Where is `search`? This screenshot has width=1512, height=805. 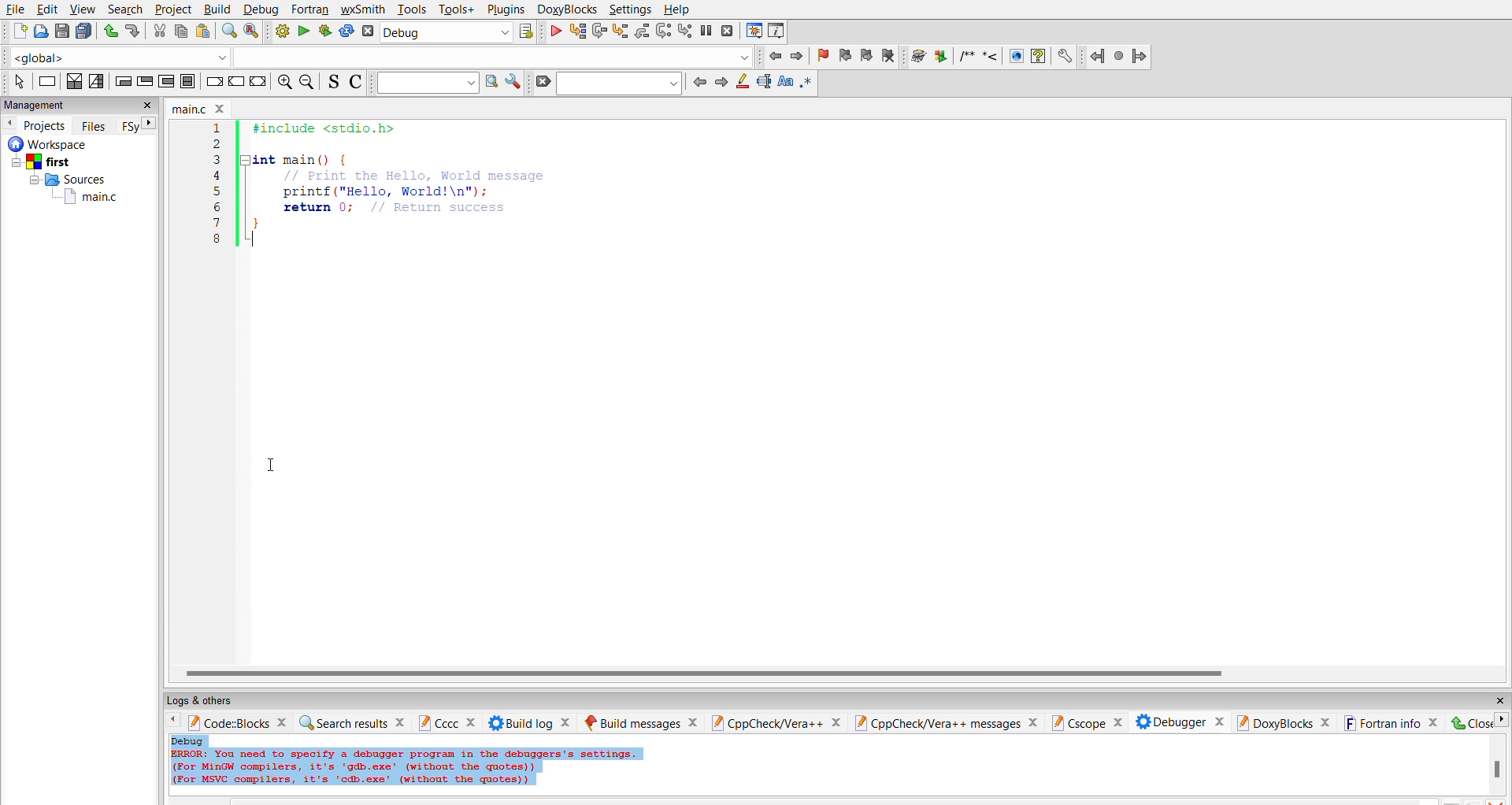 search is located at coordinates (620, 83).